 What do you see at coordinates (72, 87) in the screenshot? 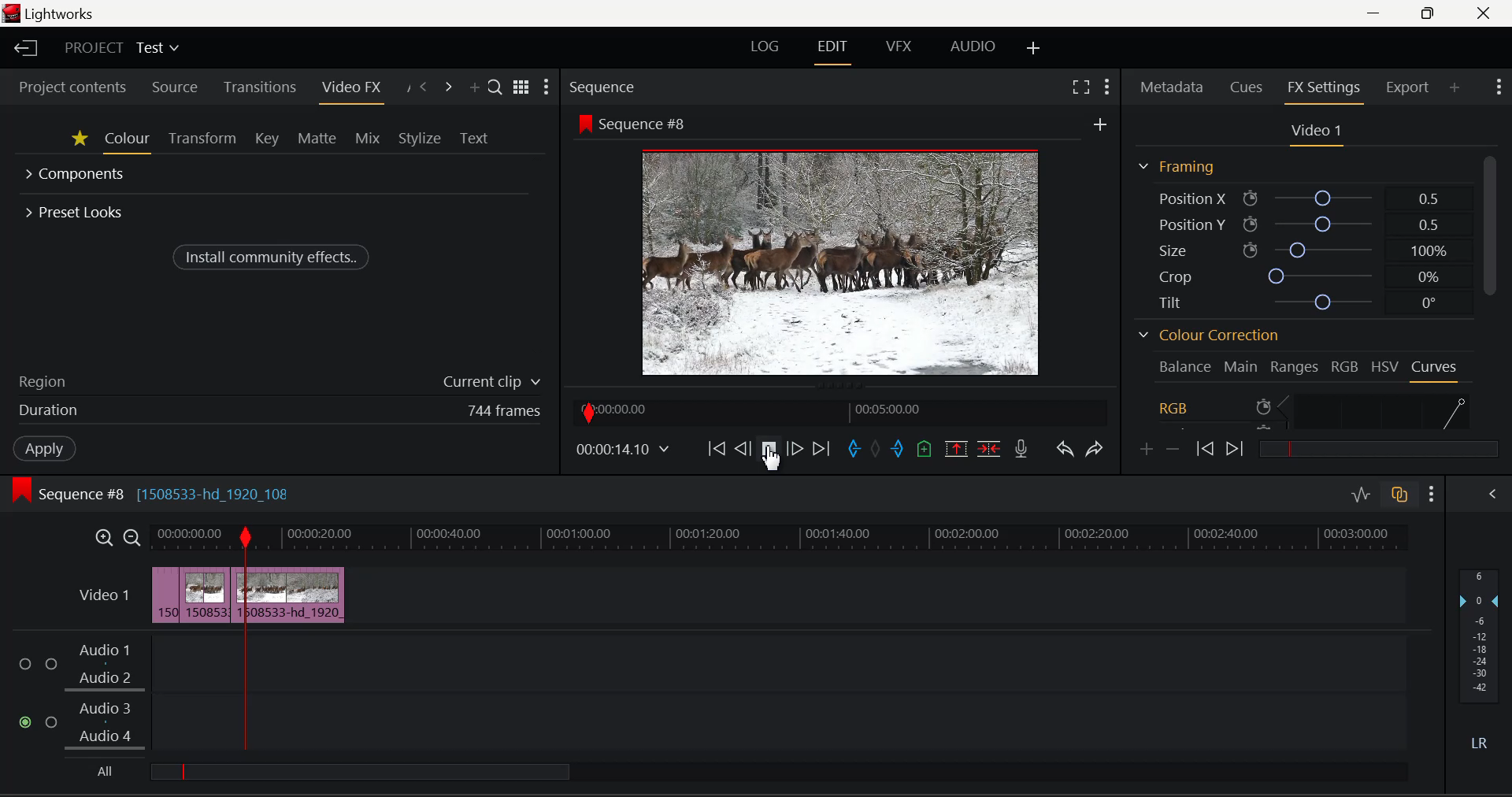
I see `Project contents` at bounding box center [72, 87].